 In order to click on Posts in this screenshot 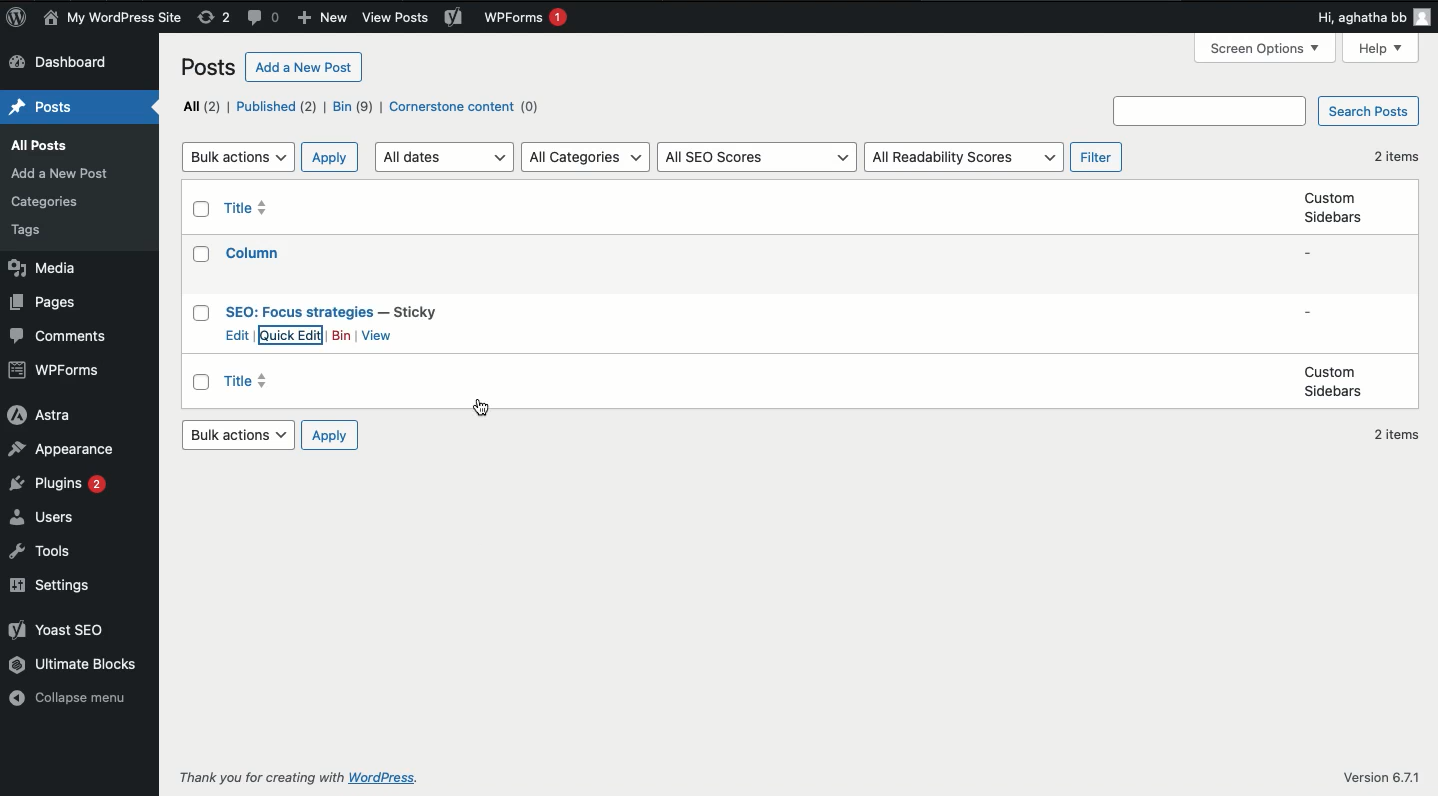, I will do `click(40, 144)`.